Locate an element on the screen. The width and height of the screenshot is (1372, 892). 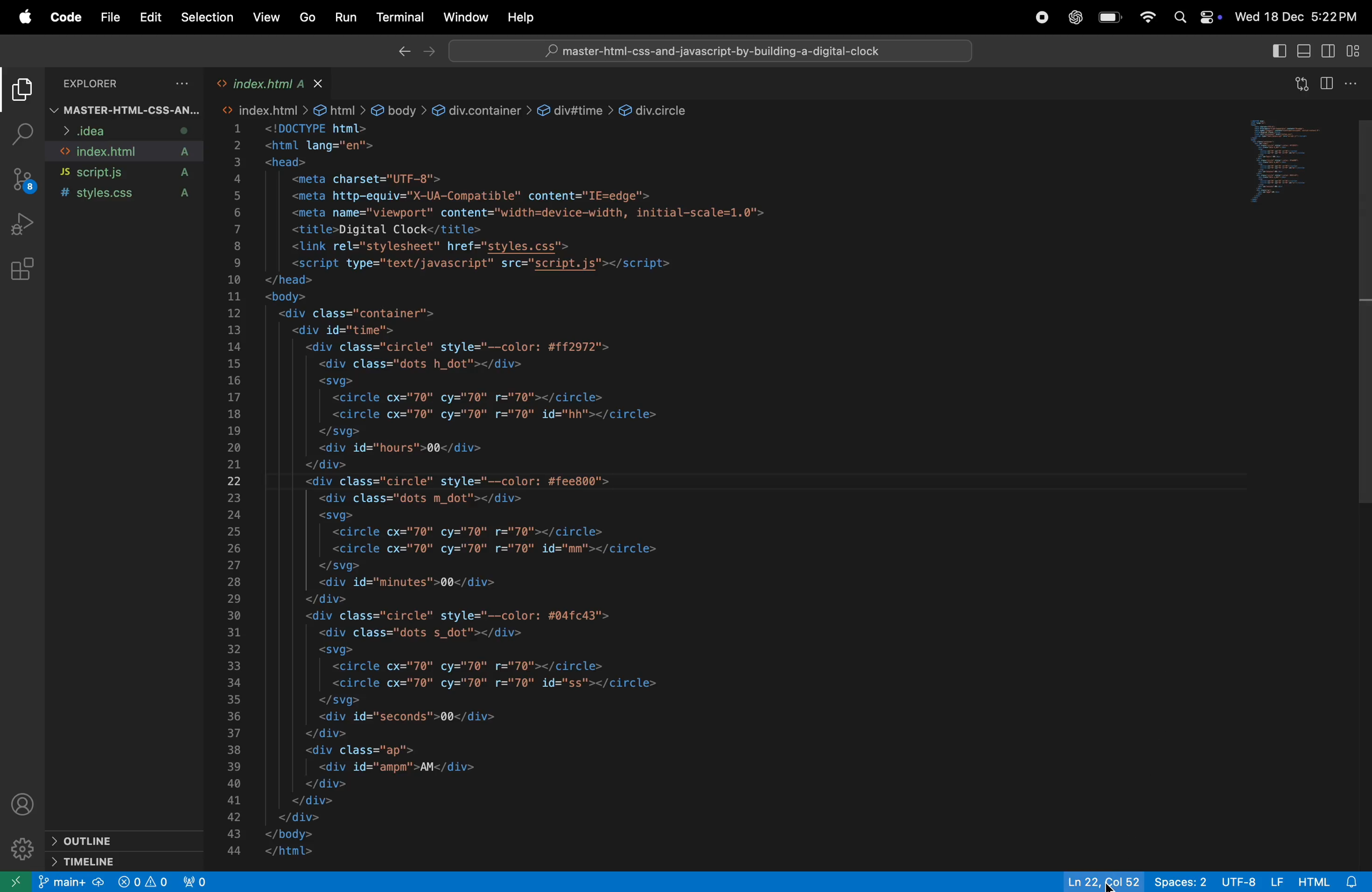
link is located at coordinates (666, 108).